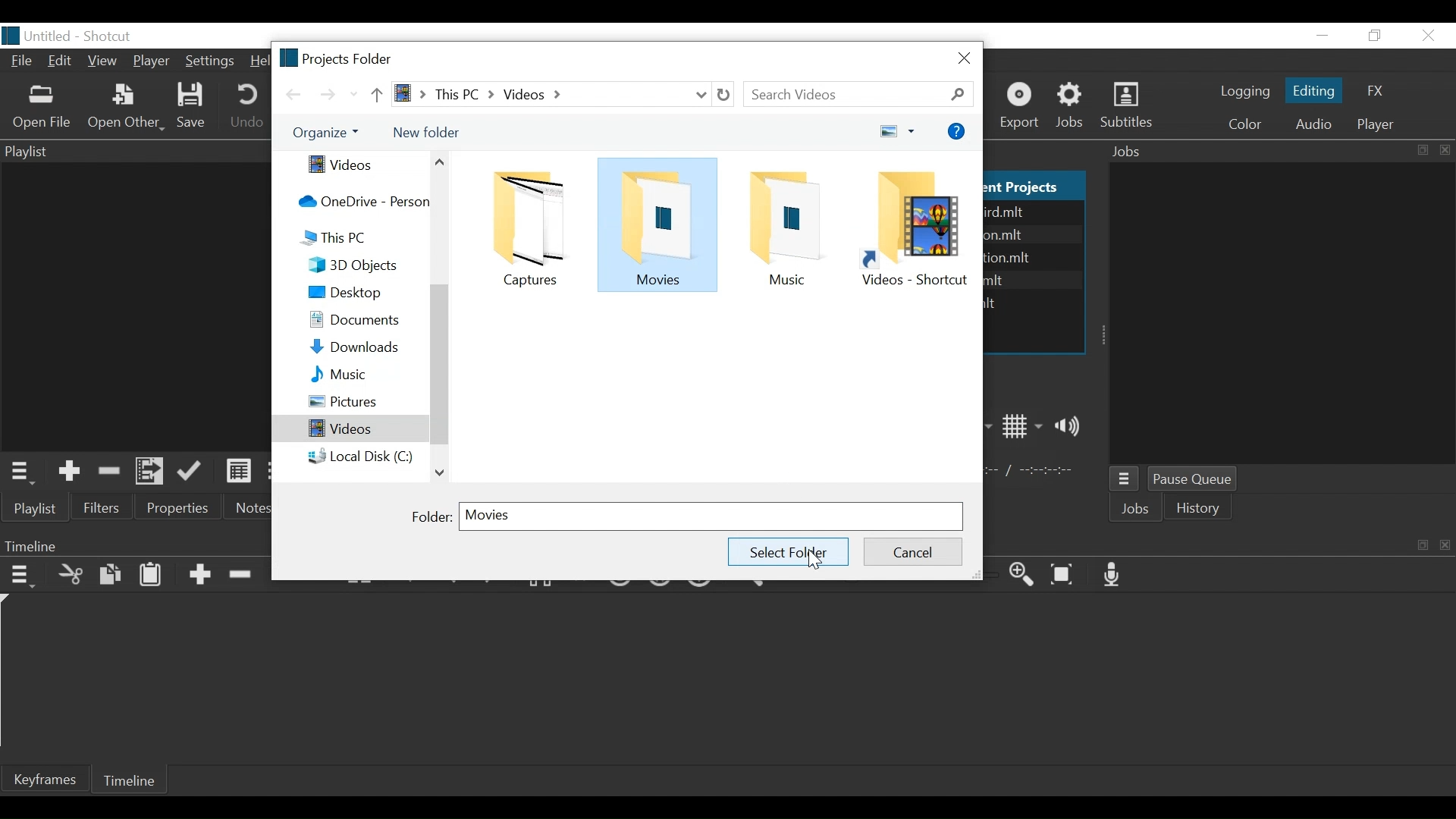 This screenshot has height=819, width=1456. What do you see at coordinates (438, 162) in the screenshot?
I see `Scroll up` at bounding box center [438, 162].